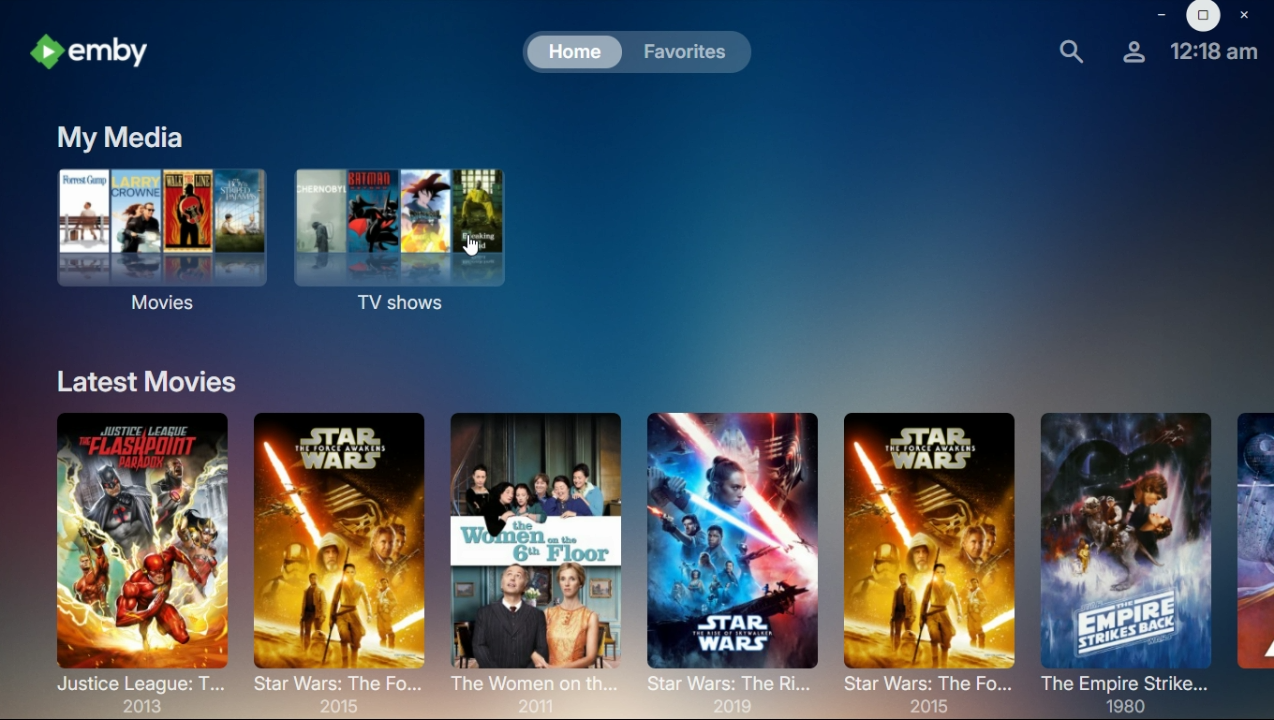  What do you see at coordinates (734, 550) in the screenshot?
I see `star wars the rise of skywalker 2019` at bounding box center [734, 550].